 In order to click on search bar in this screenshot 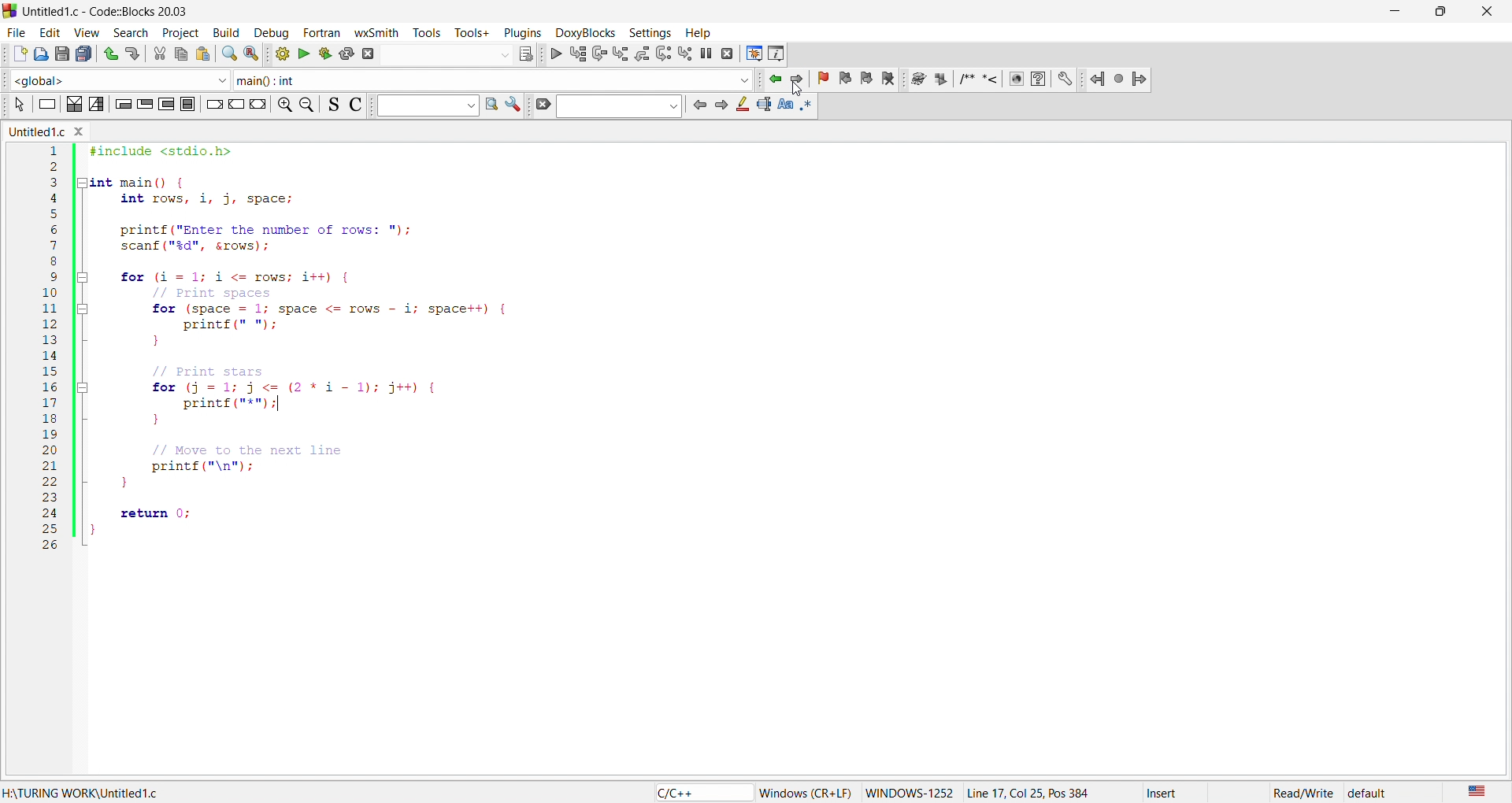, I will do `click(607, 106)`.